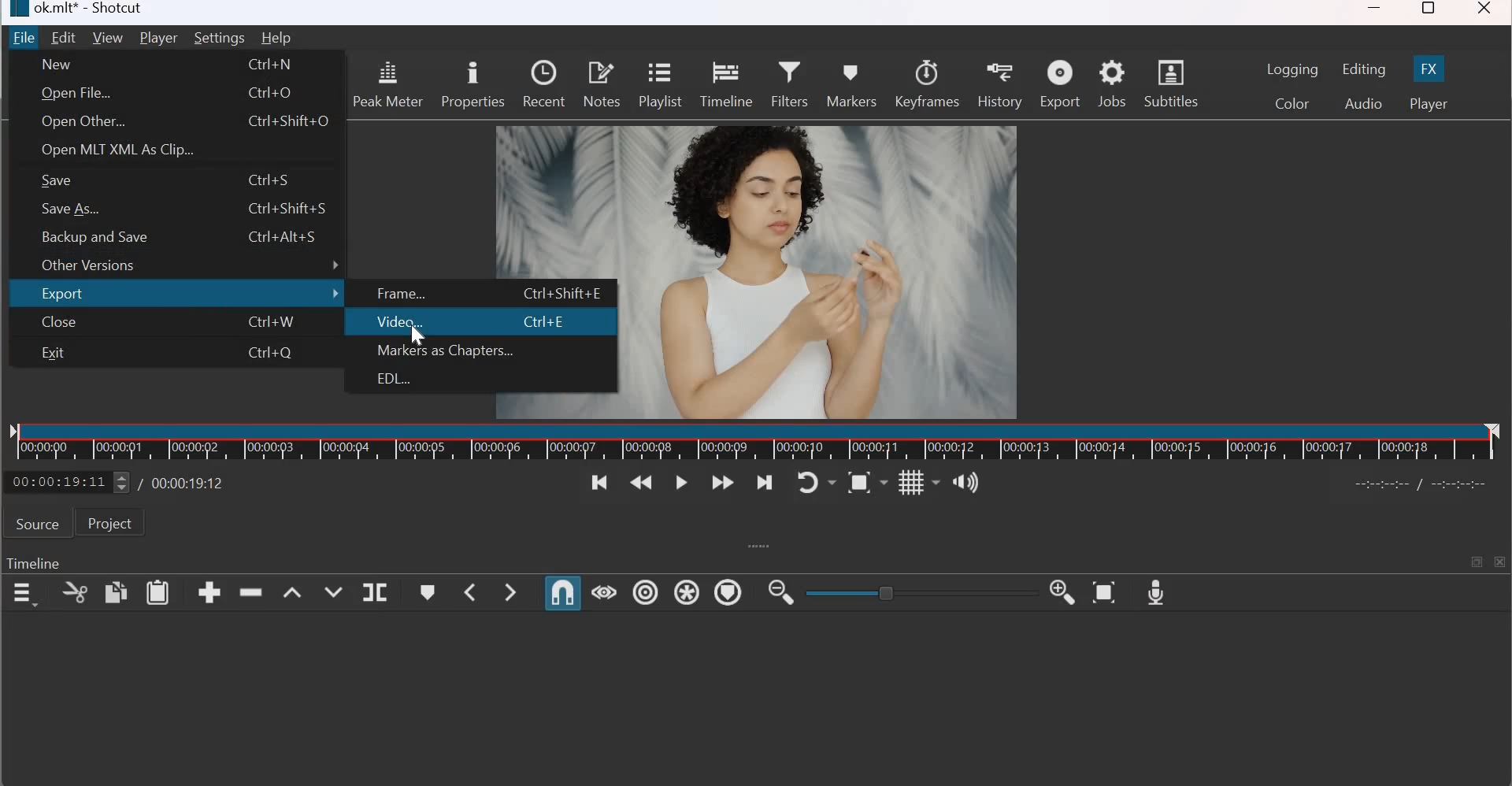 The height and width of the screenshot is (786, 1512). Describe the element at coordinates (999, 83) in the screenshot. I see `History` at that location.